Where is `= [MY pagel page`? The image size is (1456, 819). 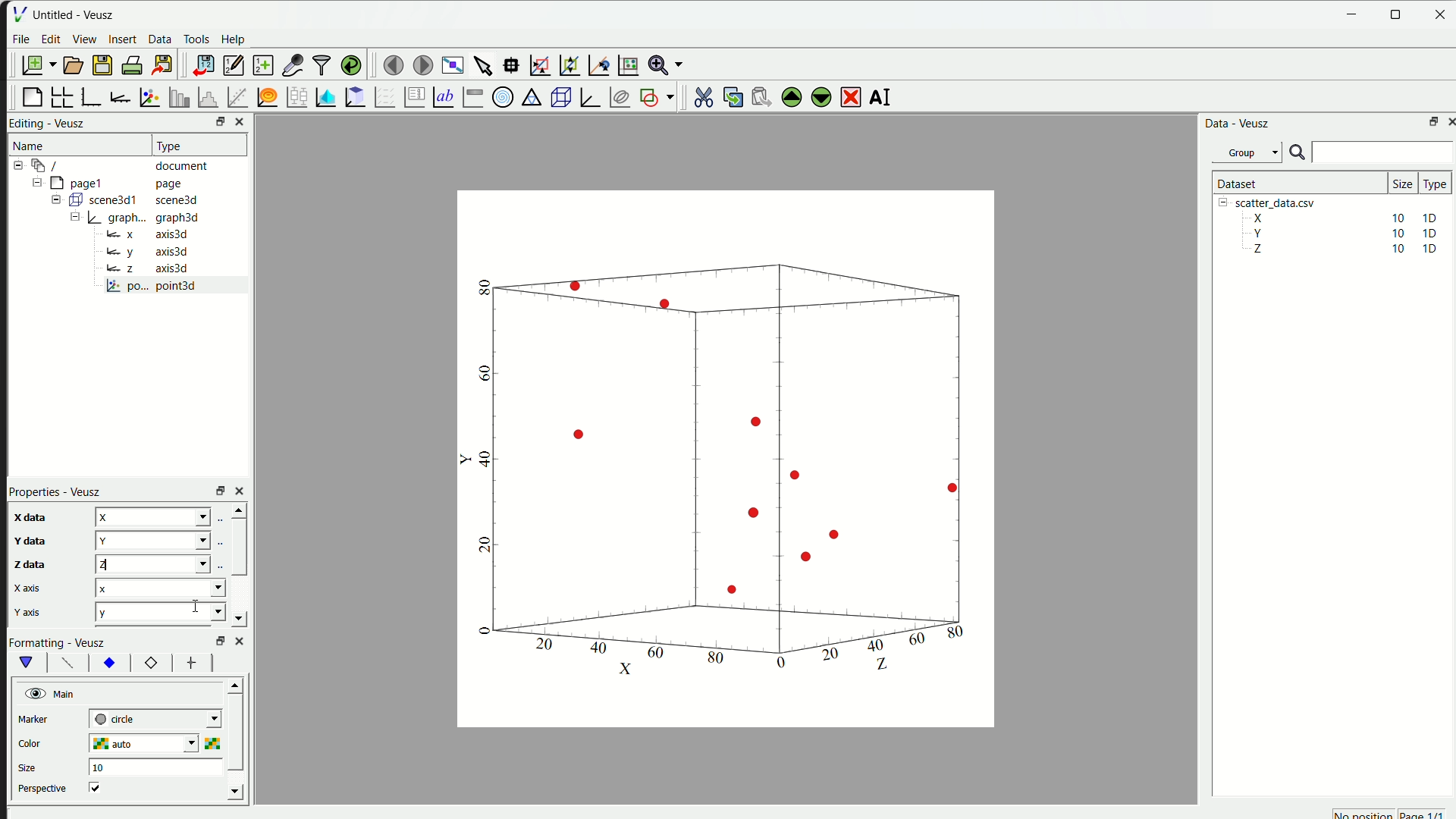 = [MY pagel page is located at coordinates (117, 181).